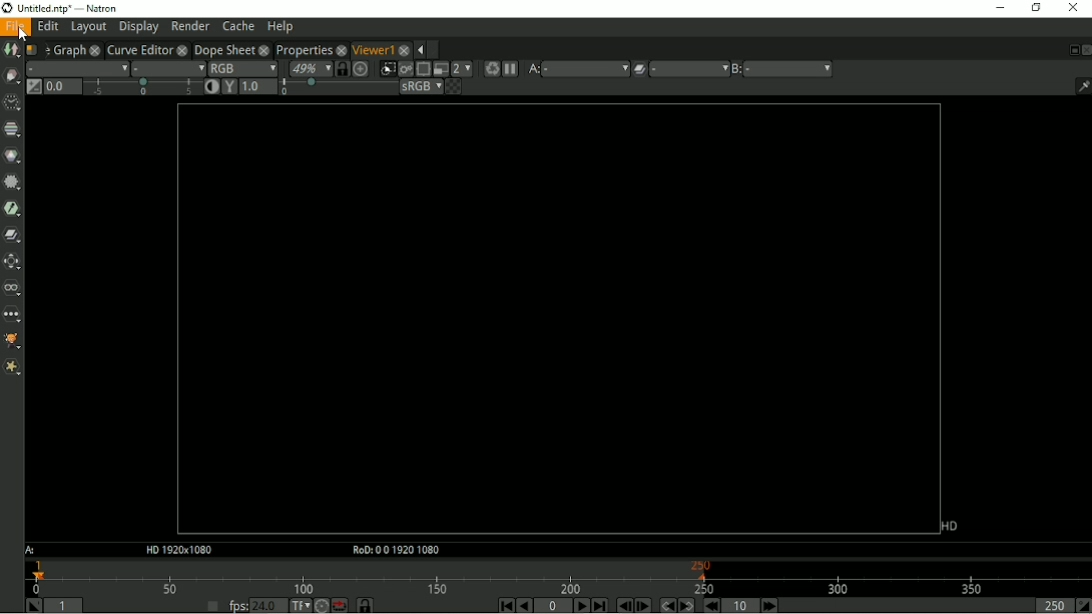 This screenshot has width=1092, height=614. Describe the element at coordinates (15, 27) in the screenshot. I see `File` at that location.